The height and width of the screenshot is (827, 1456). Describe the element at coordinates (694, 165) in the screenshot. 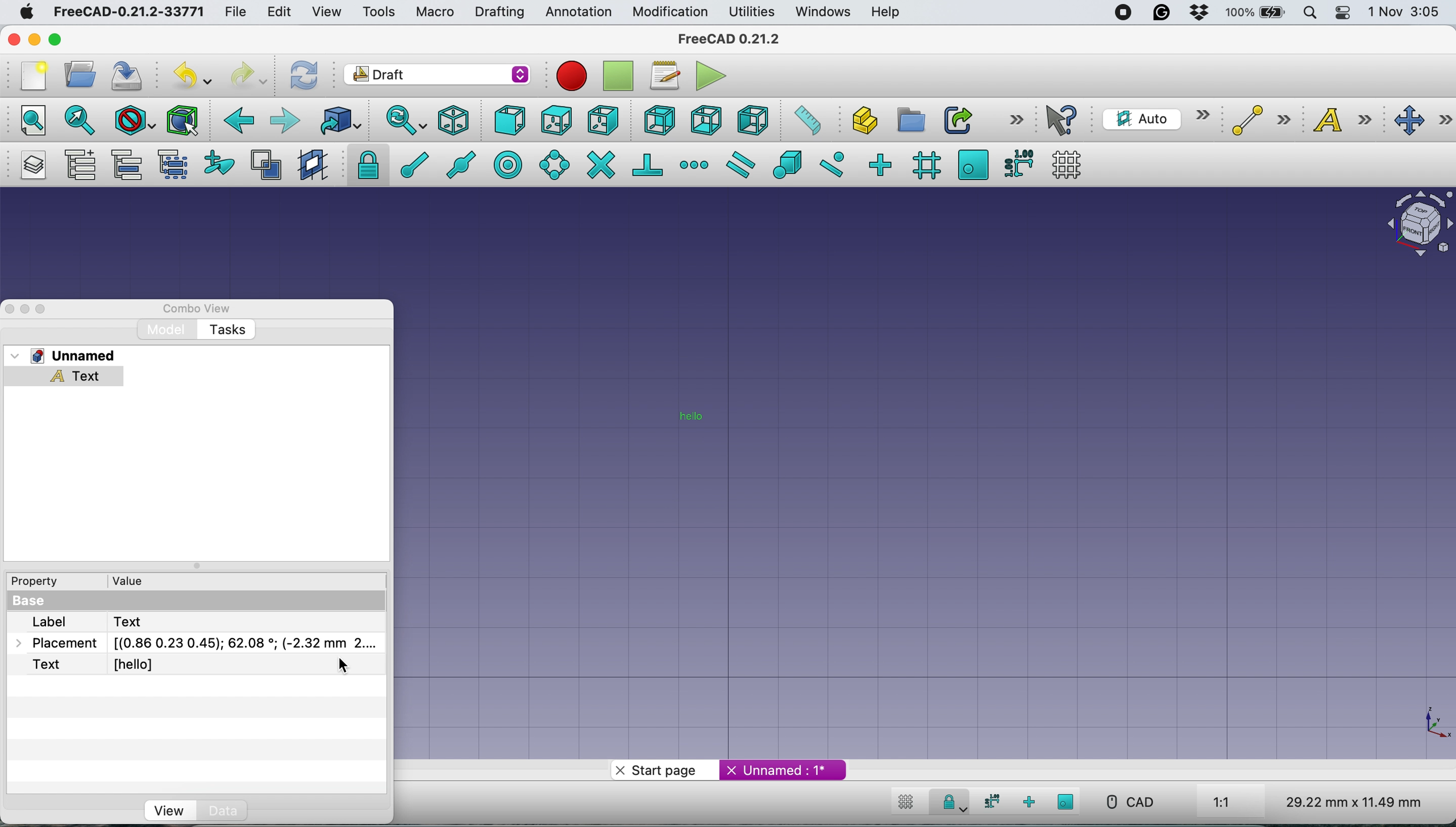

I see `snap extension` at that location.